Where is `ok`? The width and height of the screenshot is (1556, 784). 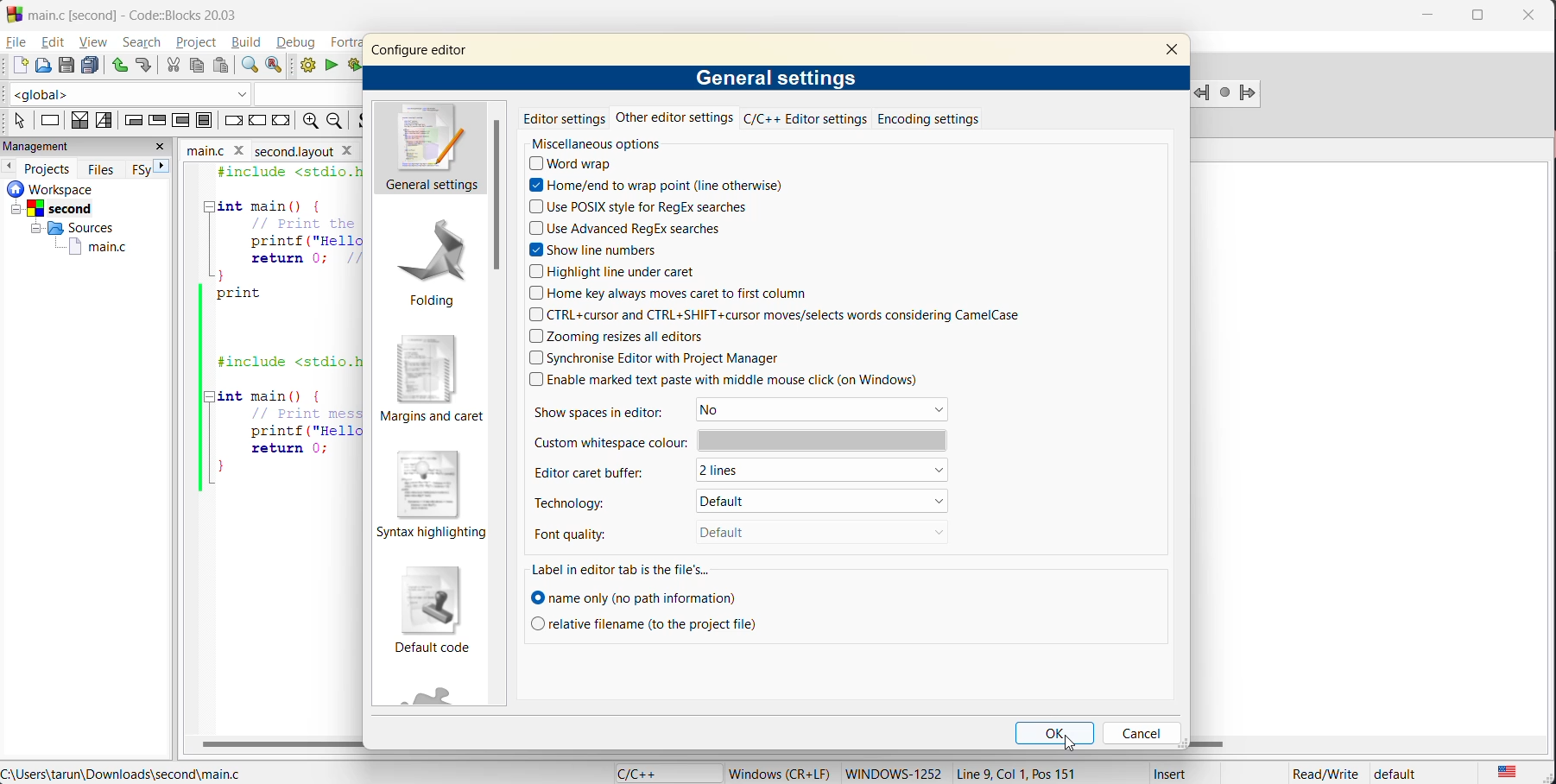
ok is located at coordinates (1057, 731).